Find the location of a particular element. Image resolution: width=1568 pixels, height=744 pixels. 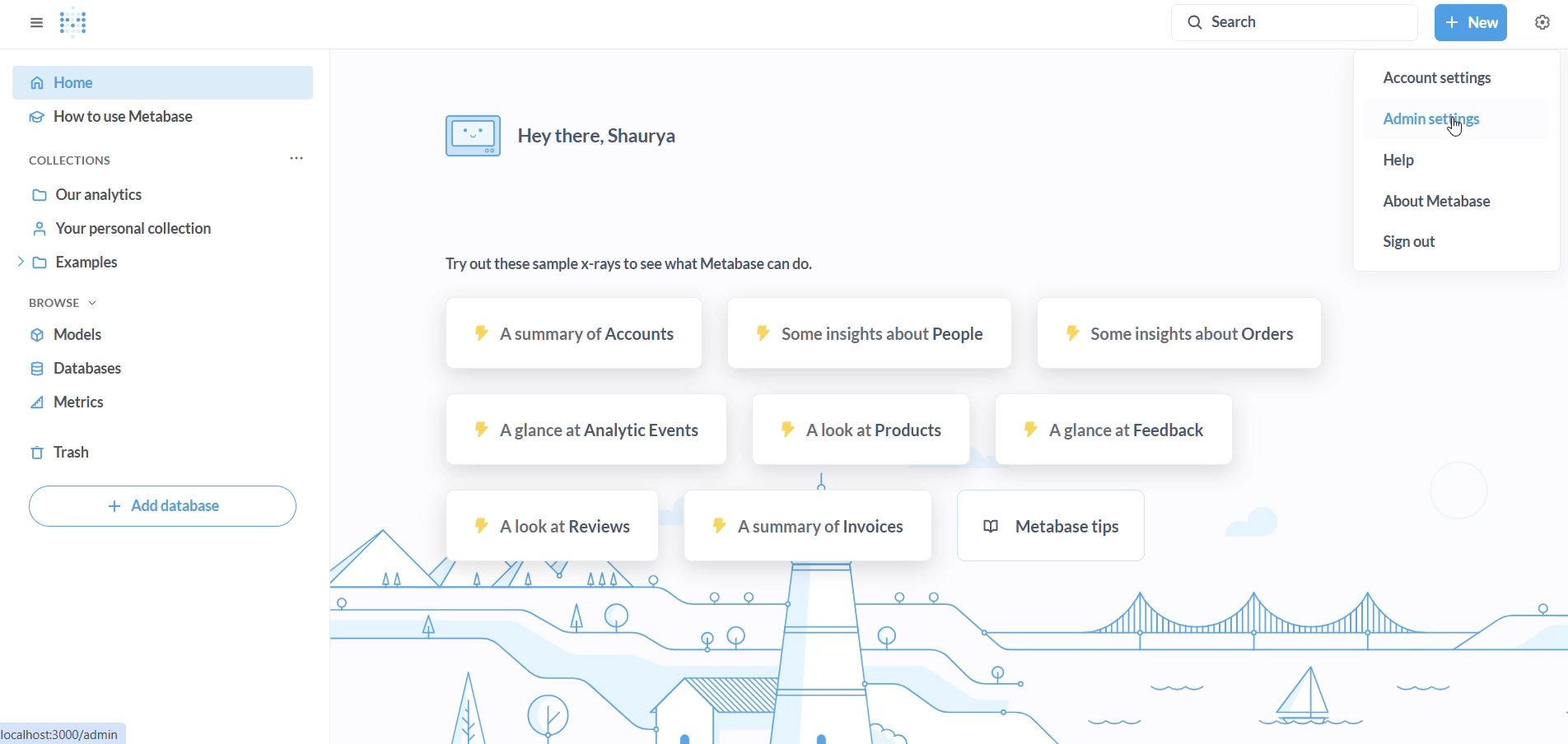

cursor is located at coordinates (1448, 130).